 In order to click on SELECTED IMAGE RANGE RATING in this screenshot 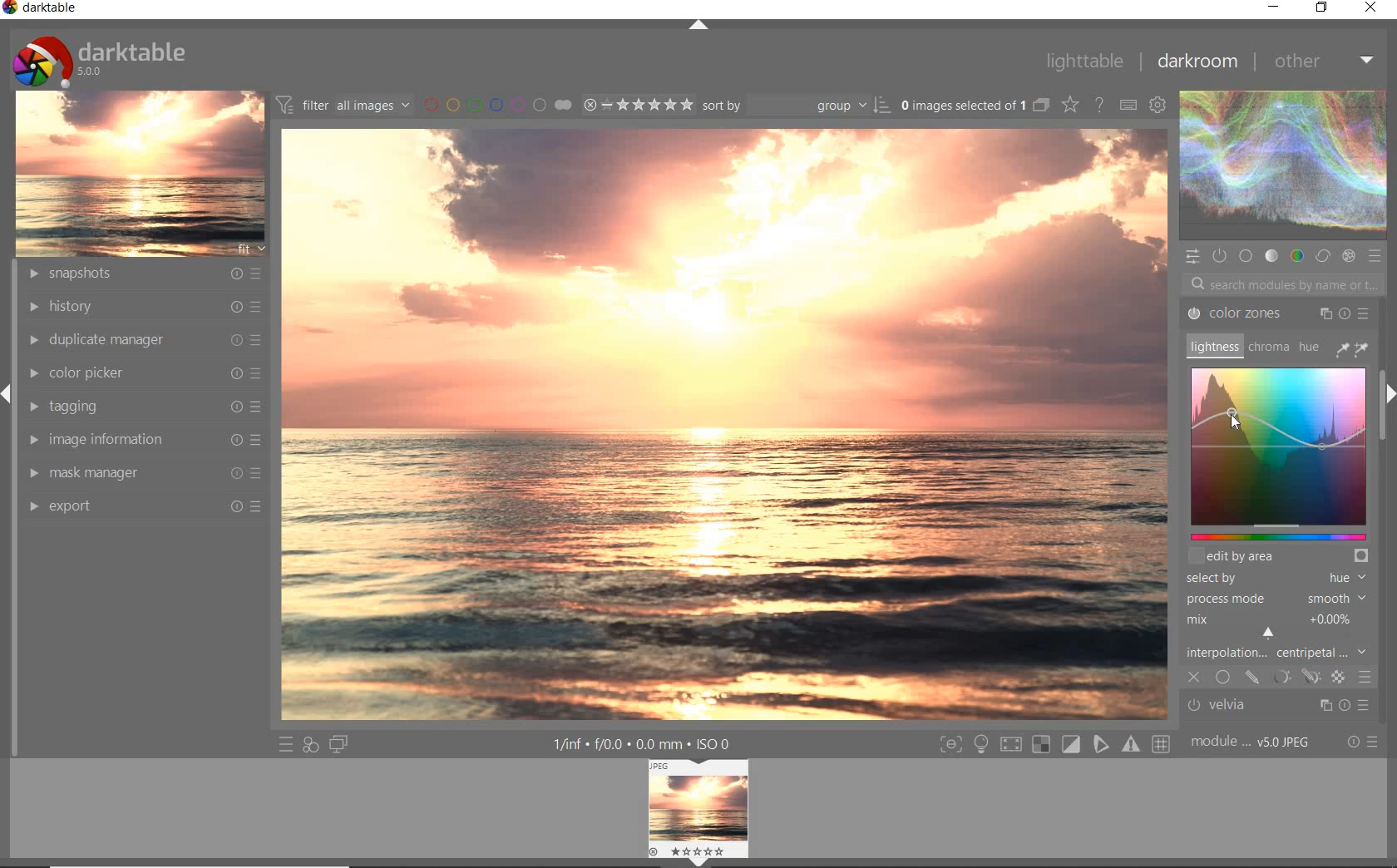, I will do `click(639, 104)`.